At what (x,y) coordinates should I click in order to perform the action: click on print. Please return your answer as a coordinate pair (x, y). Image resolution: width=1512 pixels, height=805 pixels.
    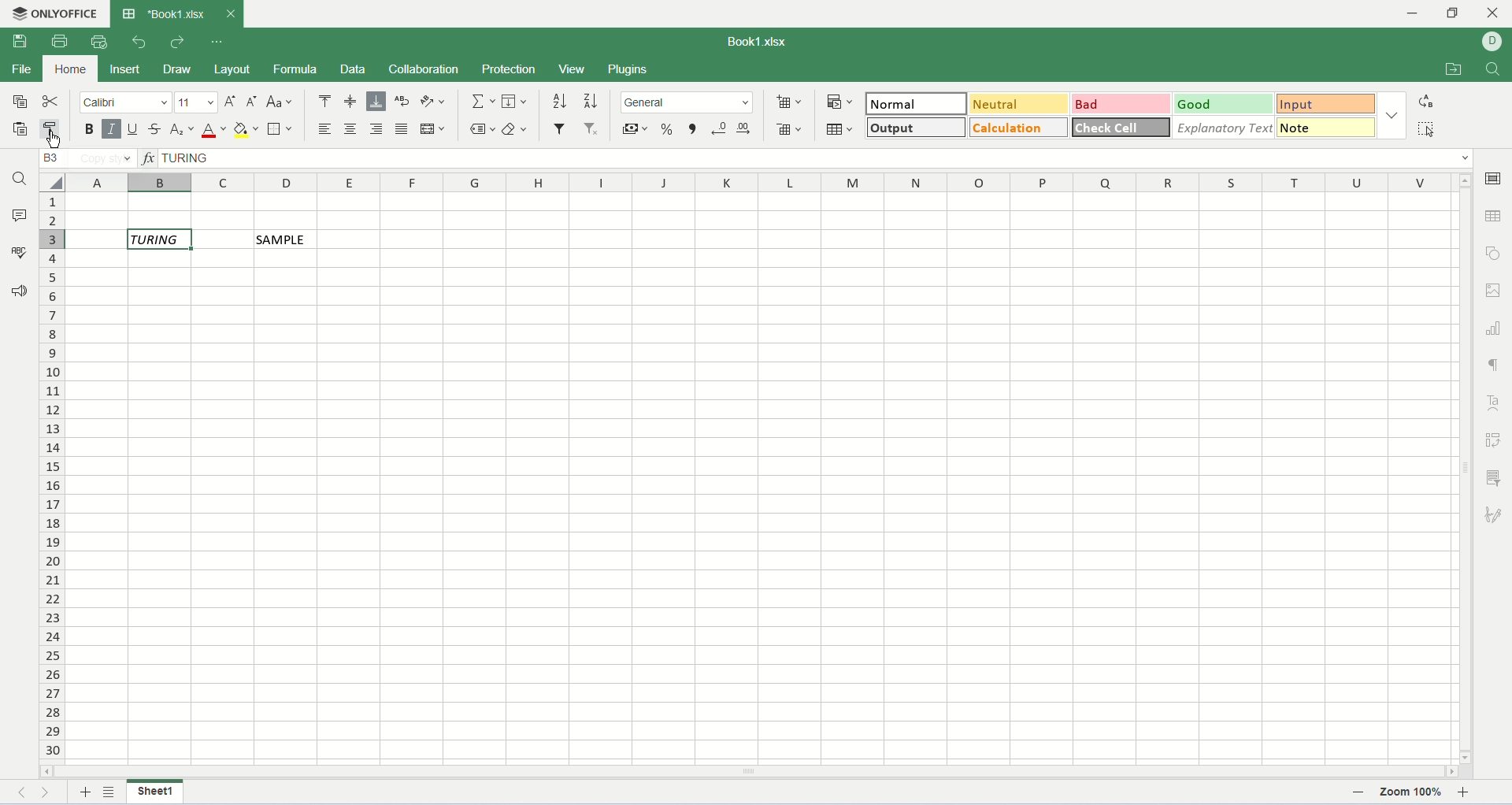
    Looking at the image, I should click on (63, 40).